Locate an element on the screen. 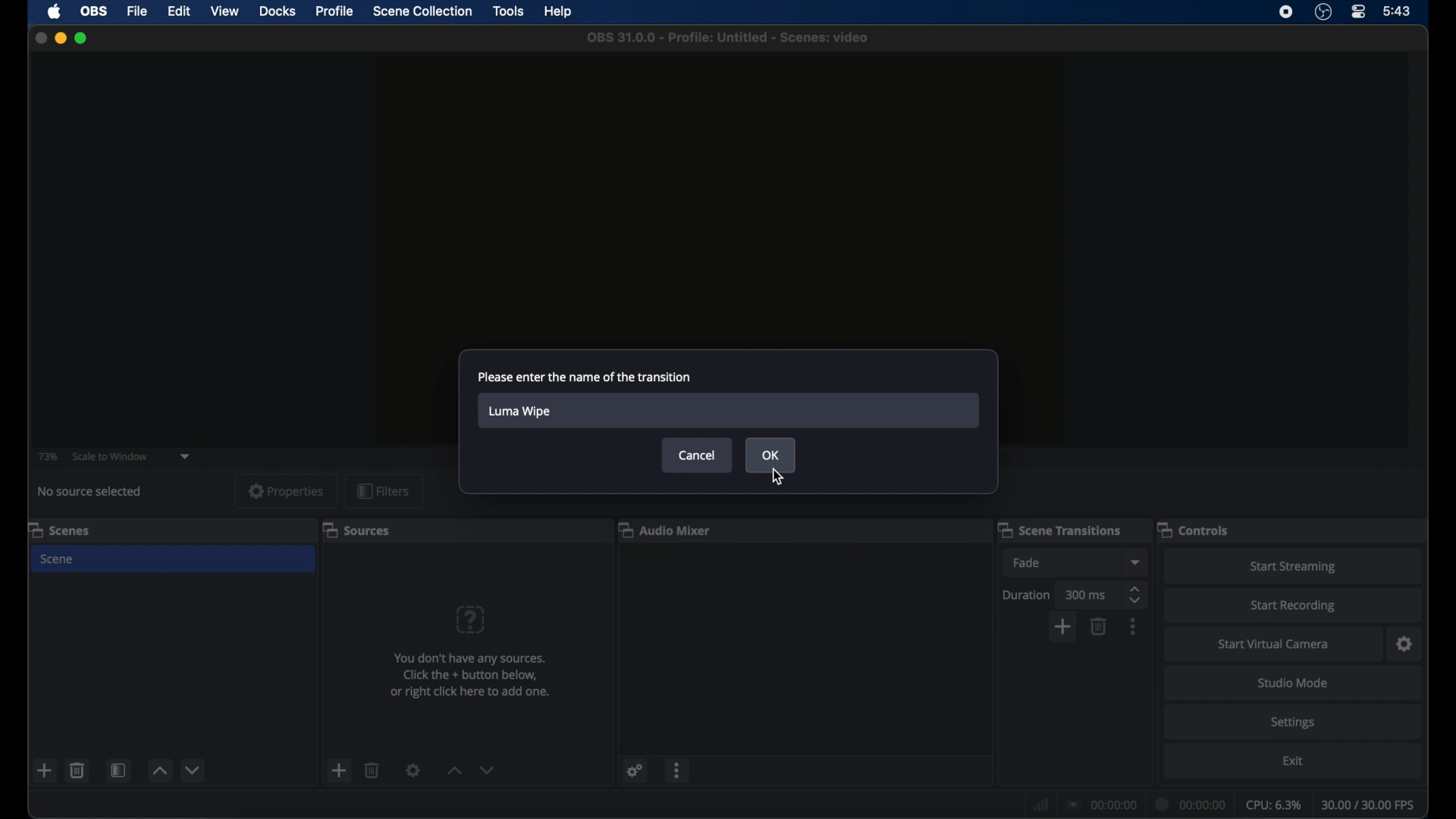 This screenshot has width=1456, height=819. audio mixer is located at coordinates (665, 529).